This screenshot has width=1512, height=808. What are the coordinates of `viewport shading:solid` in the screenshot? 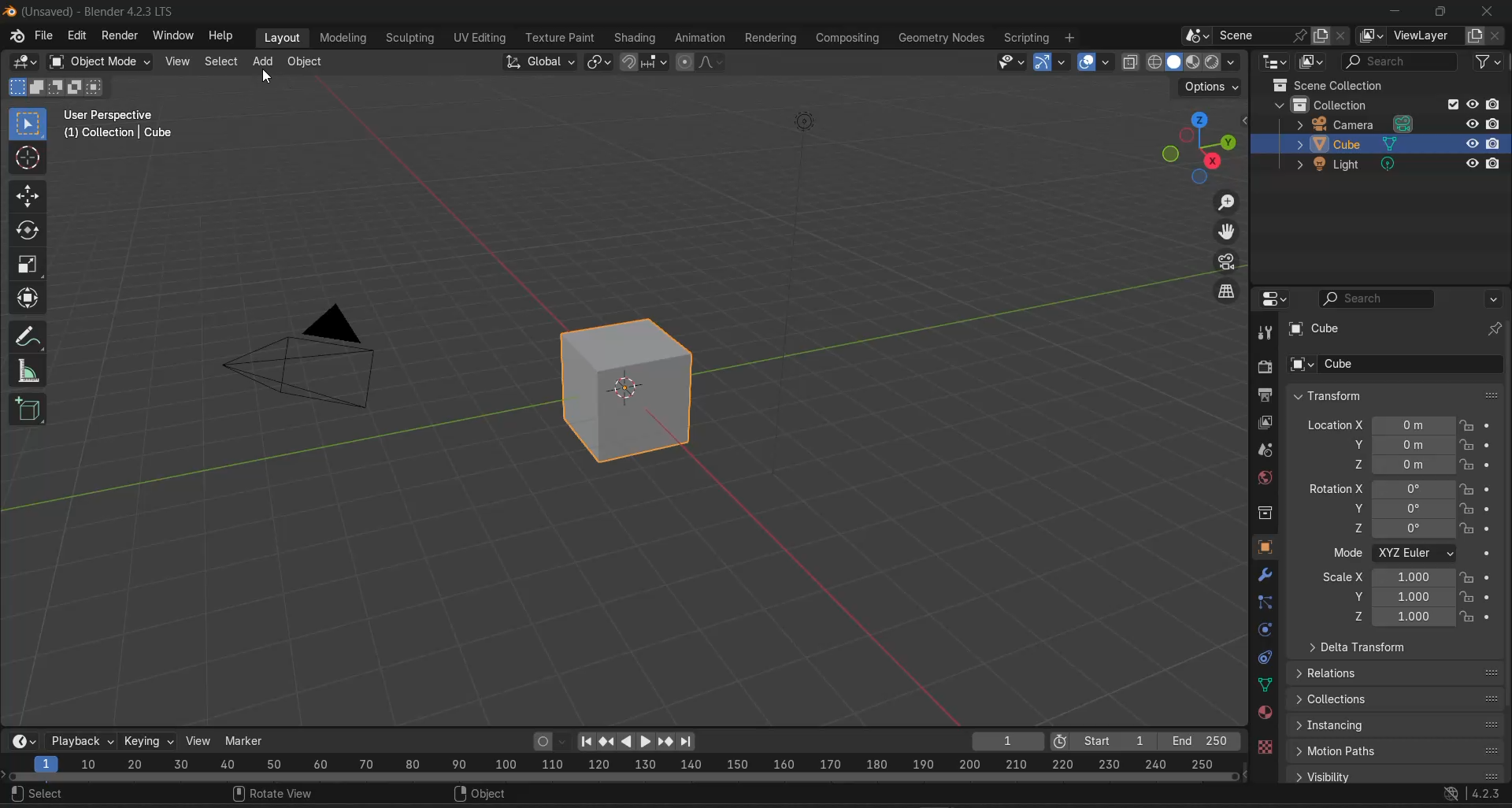 It's located at (1171, 61).